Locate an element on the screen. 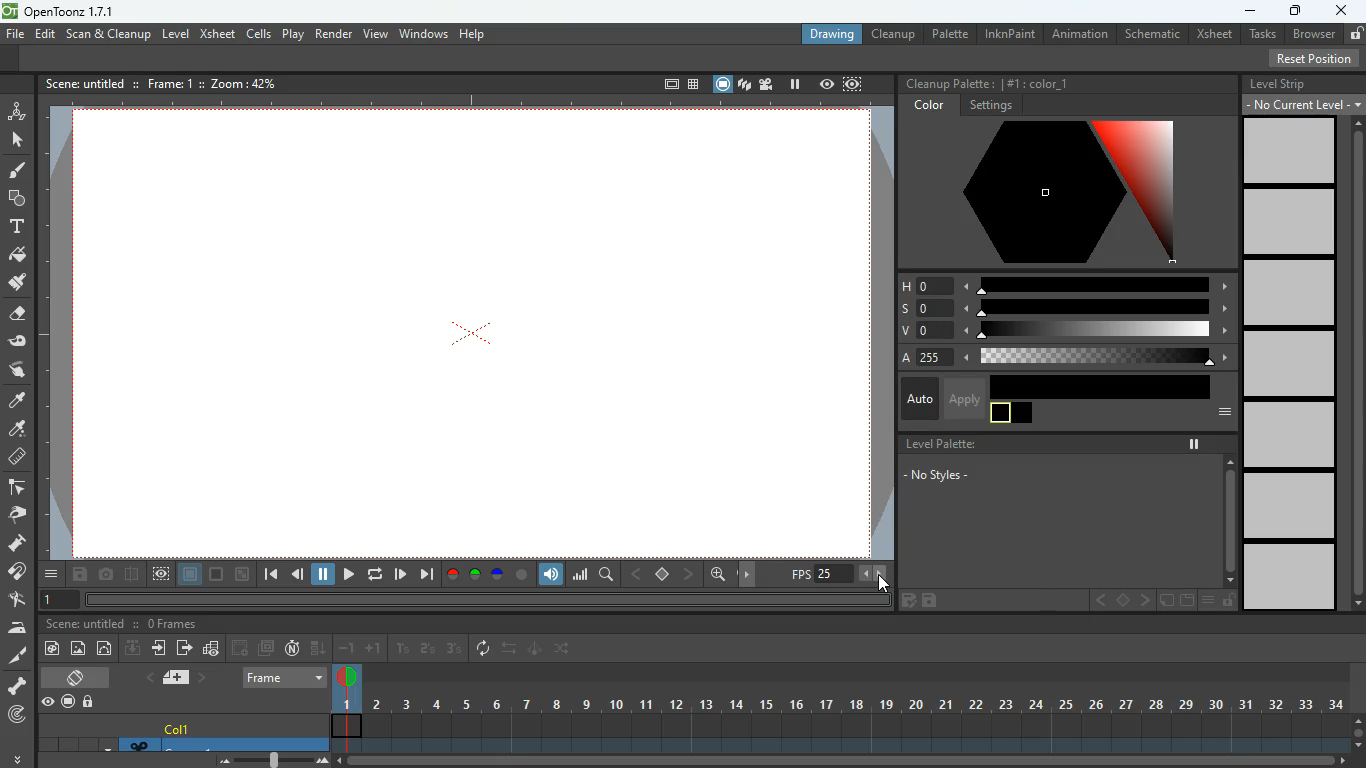 This screenshot has width=1366, height=768. color is located at coordinates (16, 428).